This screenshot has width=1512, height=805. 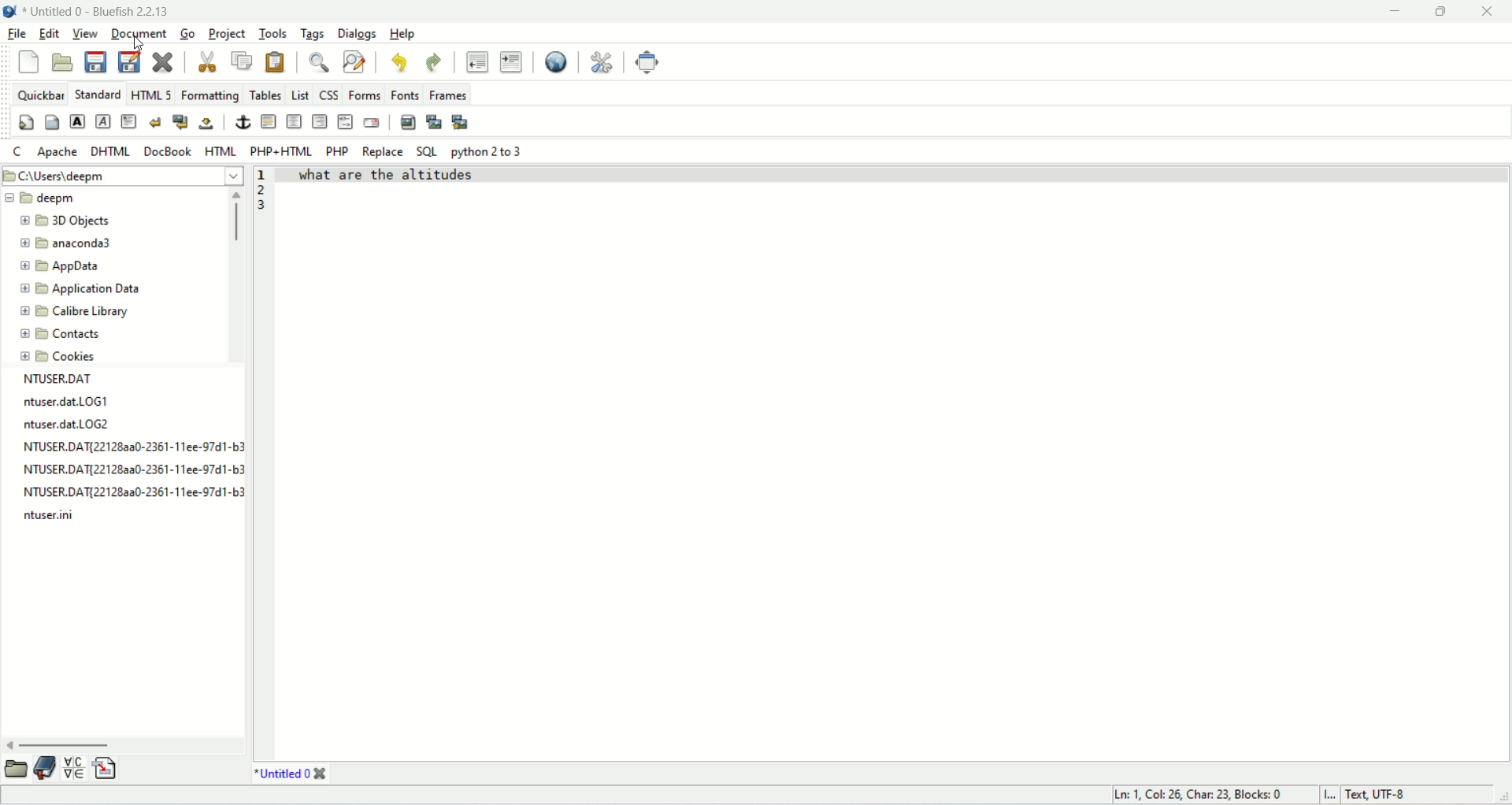 I want to click on dialogs, so click(x=360, y=35).